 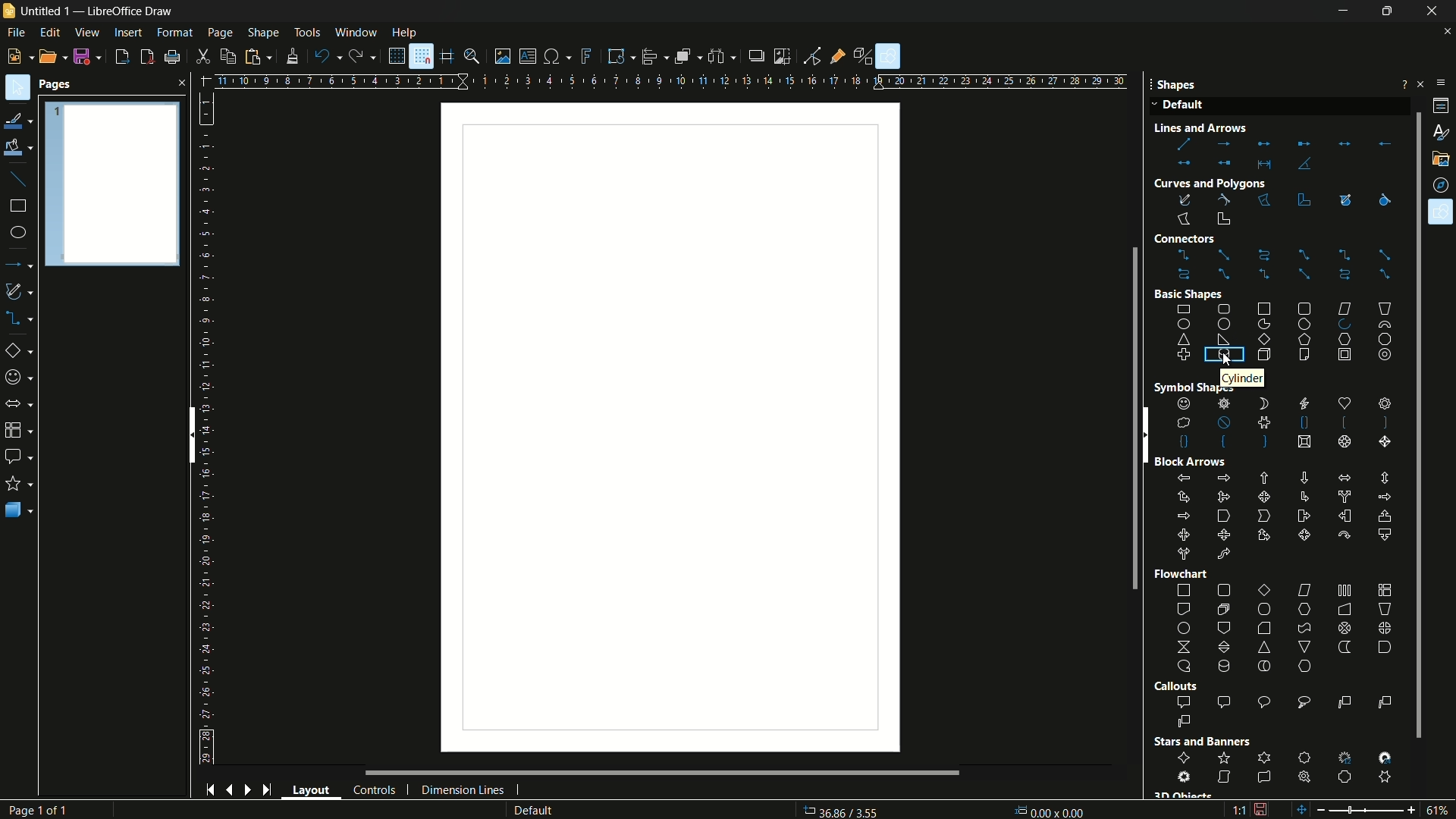 I want to click on shapes, so click(x=1282, y=424).